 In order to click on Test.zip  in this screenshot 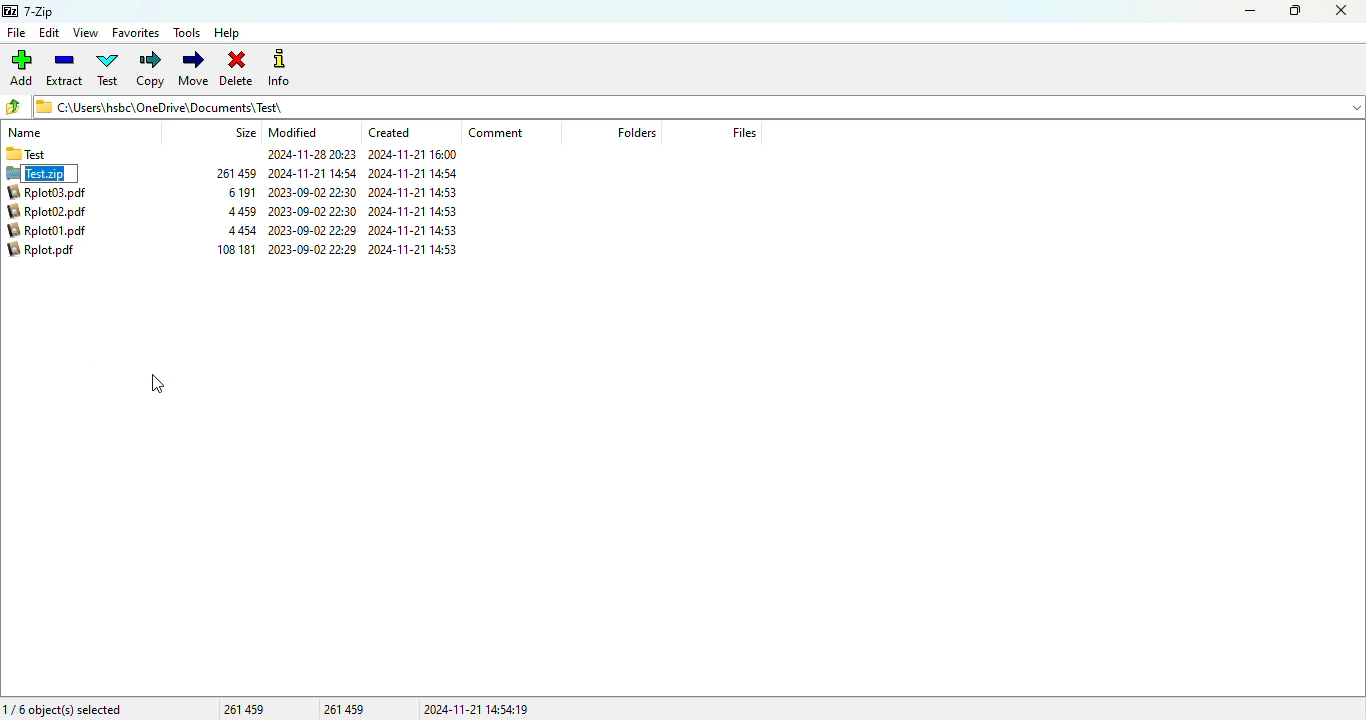, I will do `click(52, 173)`.